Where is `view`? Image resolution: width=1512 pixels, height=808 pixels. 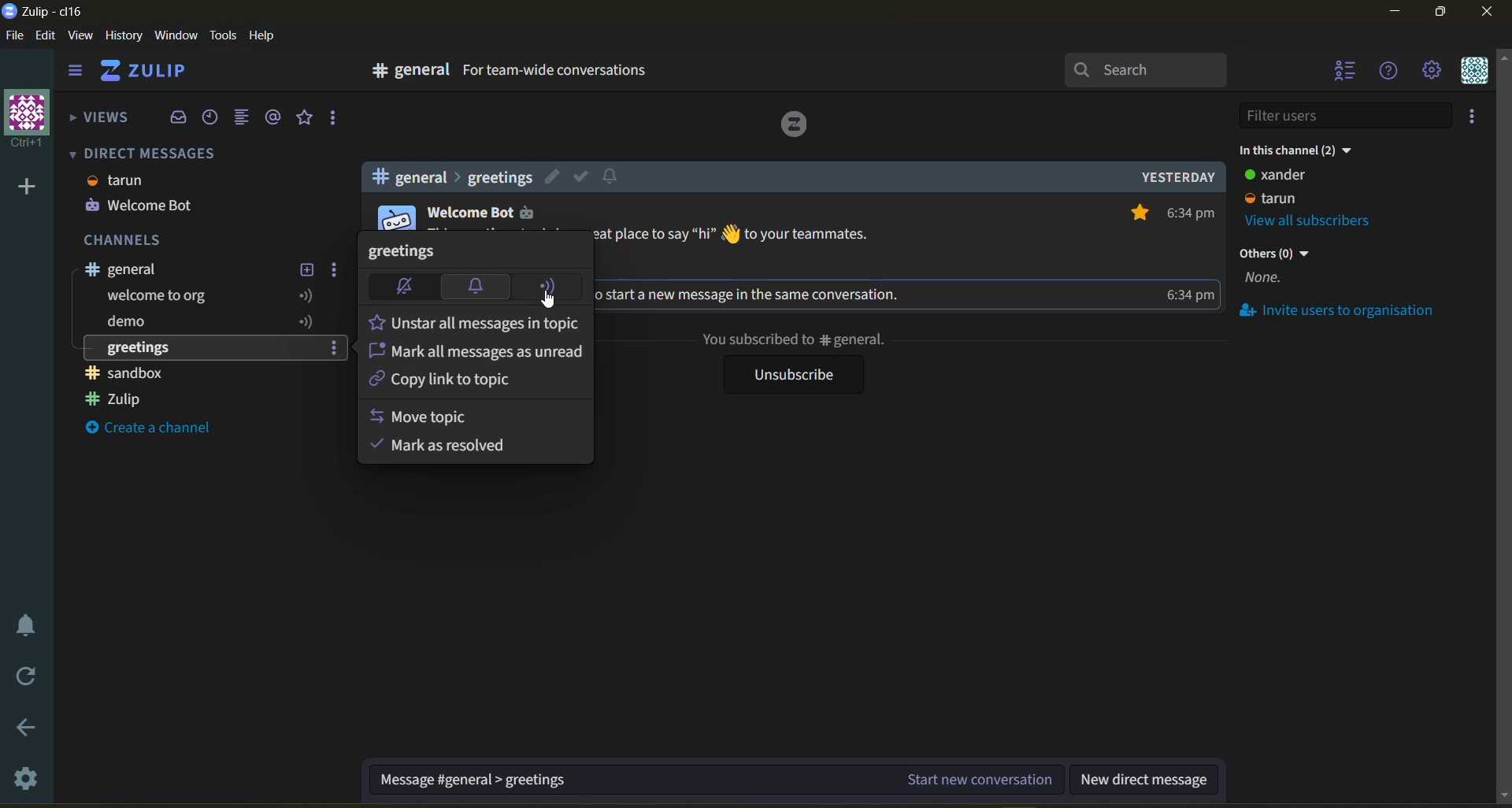 view is located at coordinates (79, 38).